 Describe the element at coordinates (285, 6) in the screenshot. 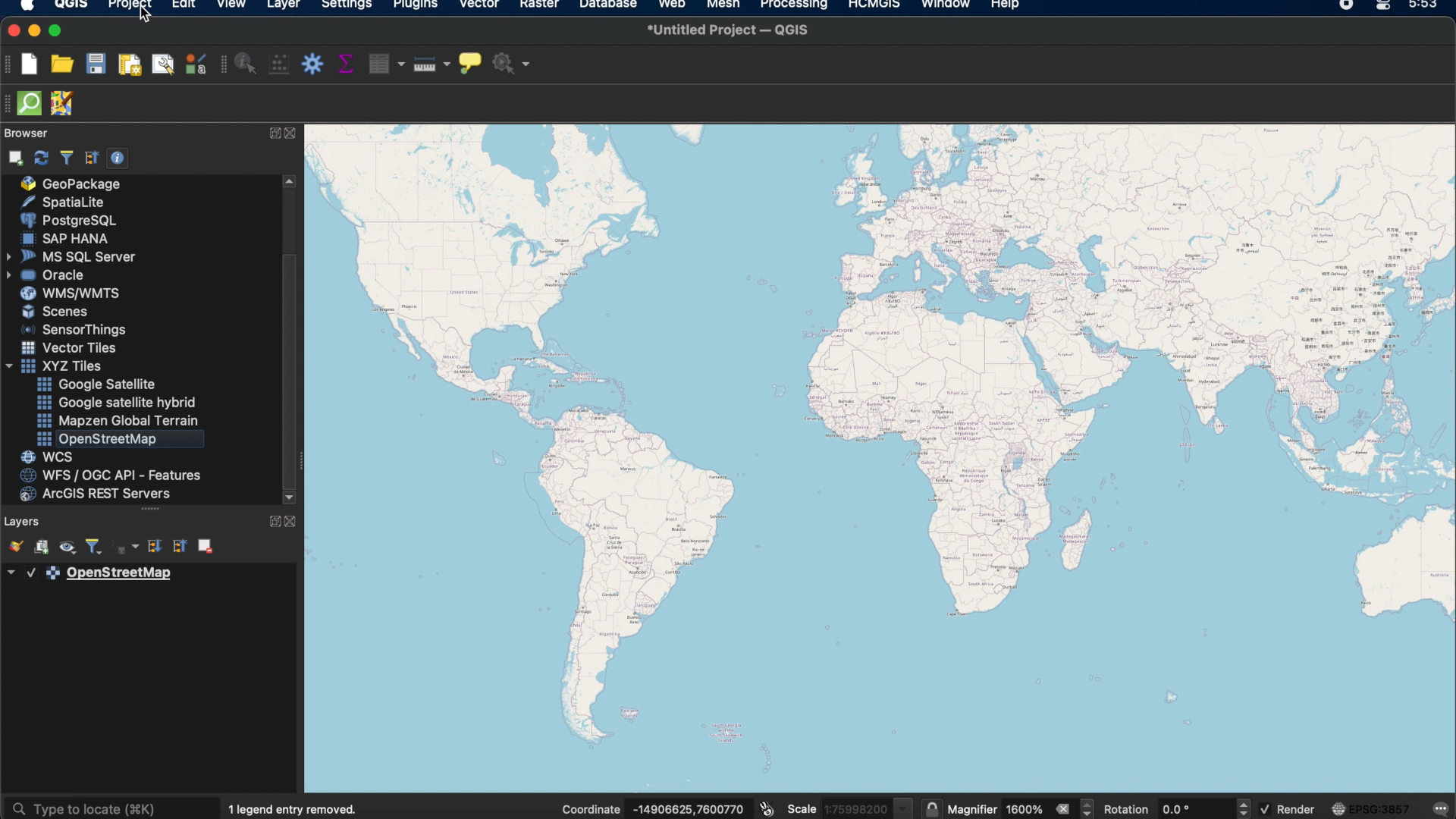

I see `layer` at that location.